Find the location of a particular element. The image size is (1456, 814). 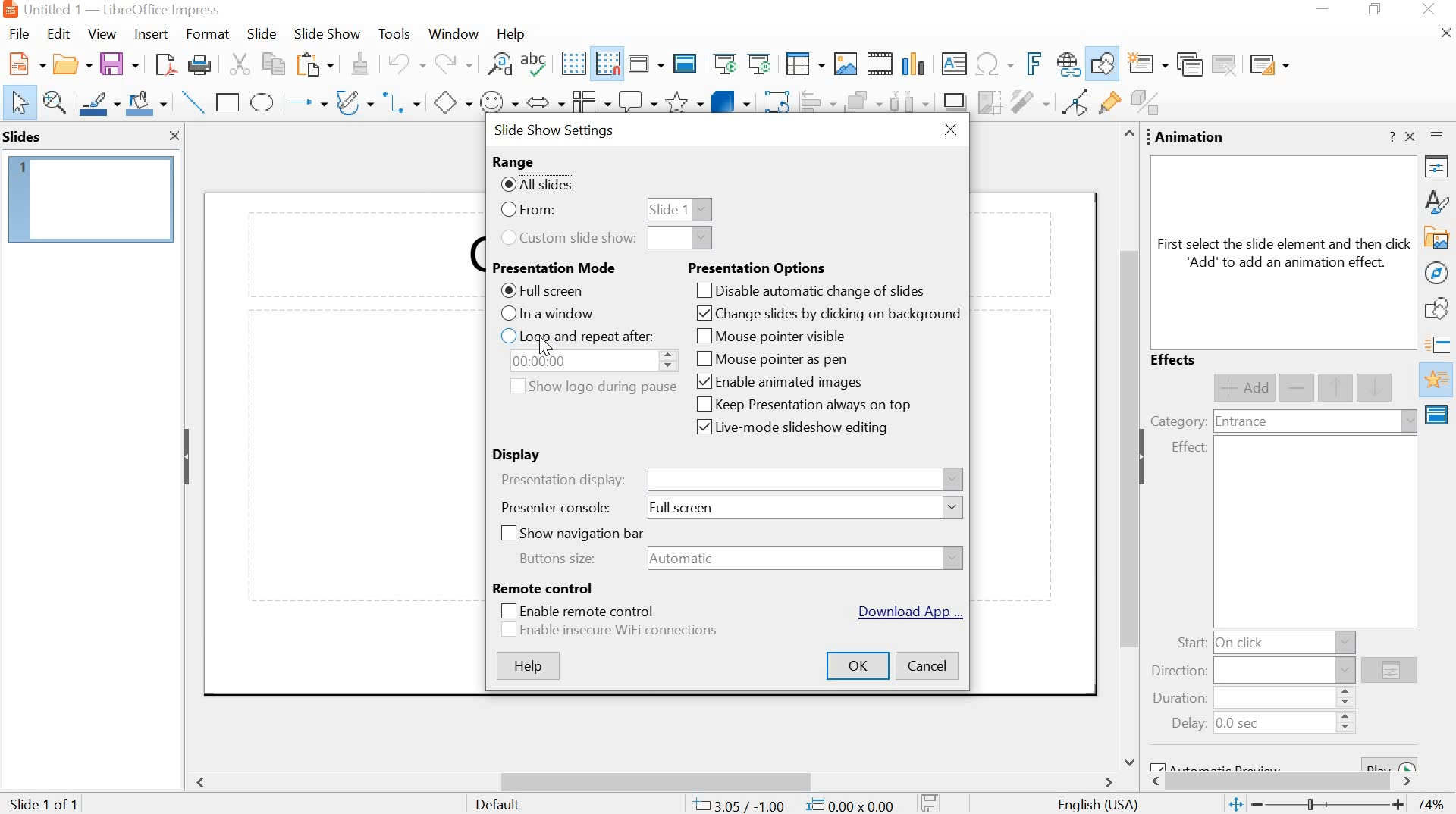

display is located at coordinates (521, 456).